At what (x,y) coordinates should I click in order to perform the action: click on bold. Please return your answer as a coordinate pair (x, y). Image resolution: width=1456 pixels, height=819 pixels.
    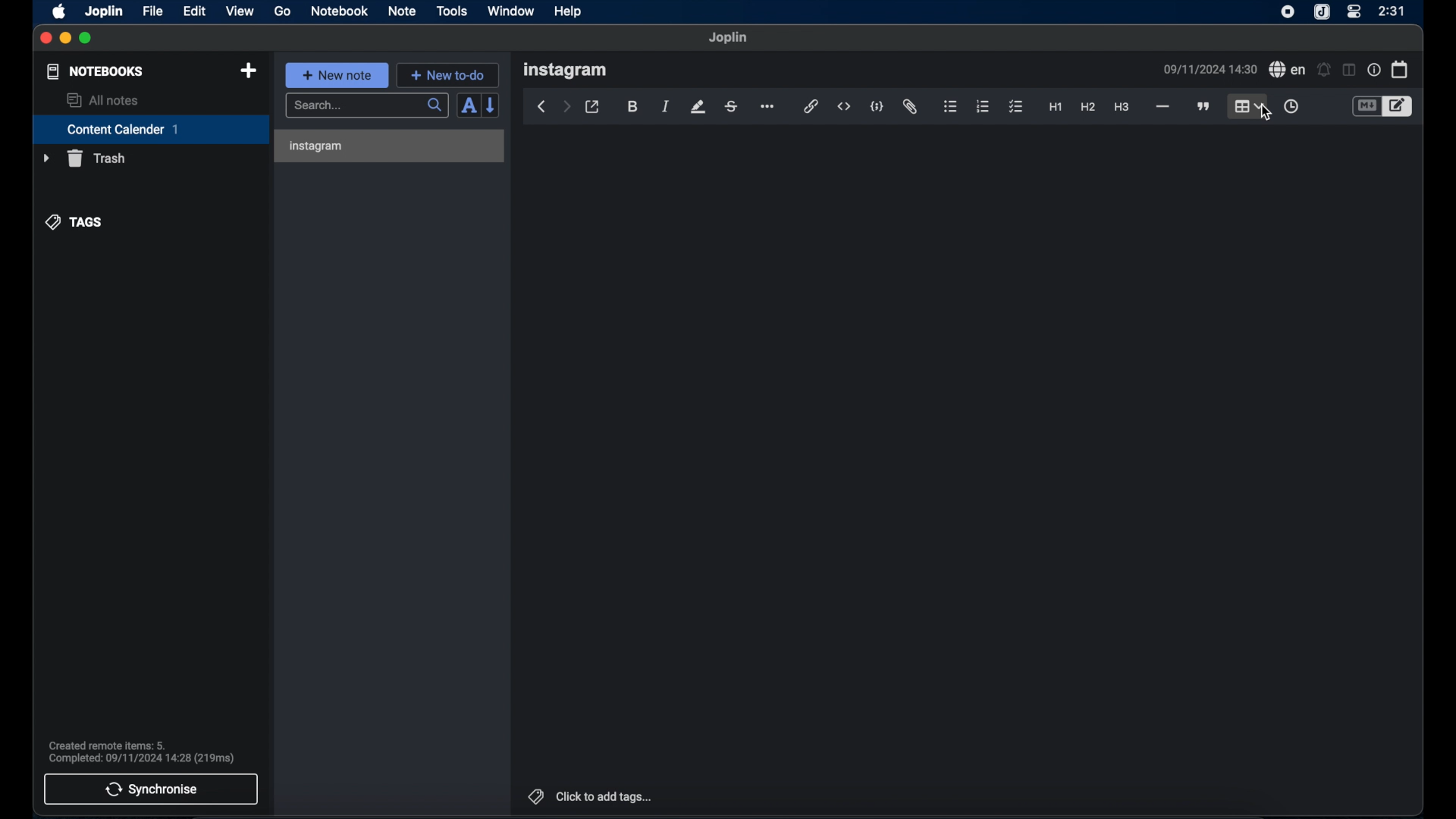
    Looking at the image, I should click on (633, 107).